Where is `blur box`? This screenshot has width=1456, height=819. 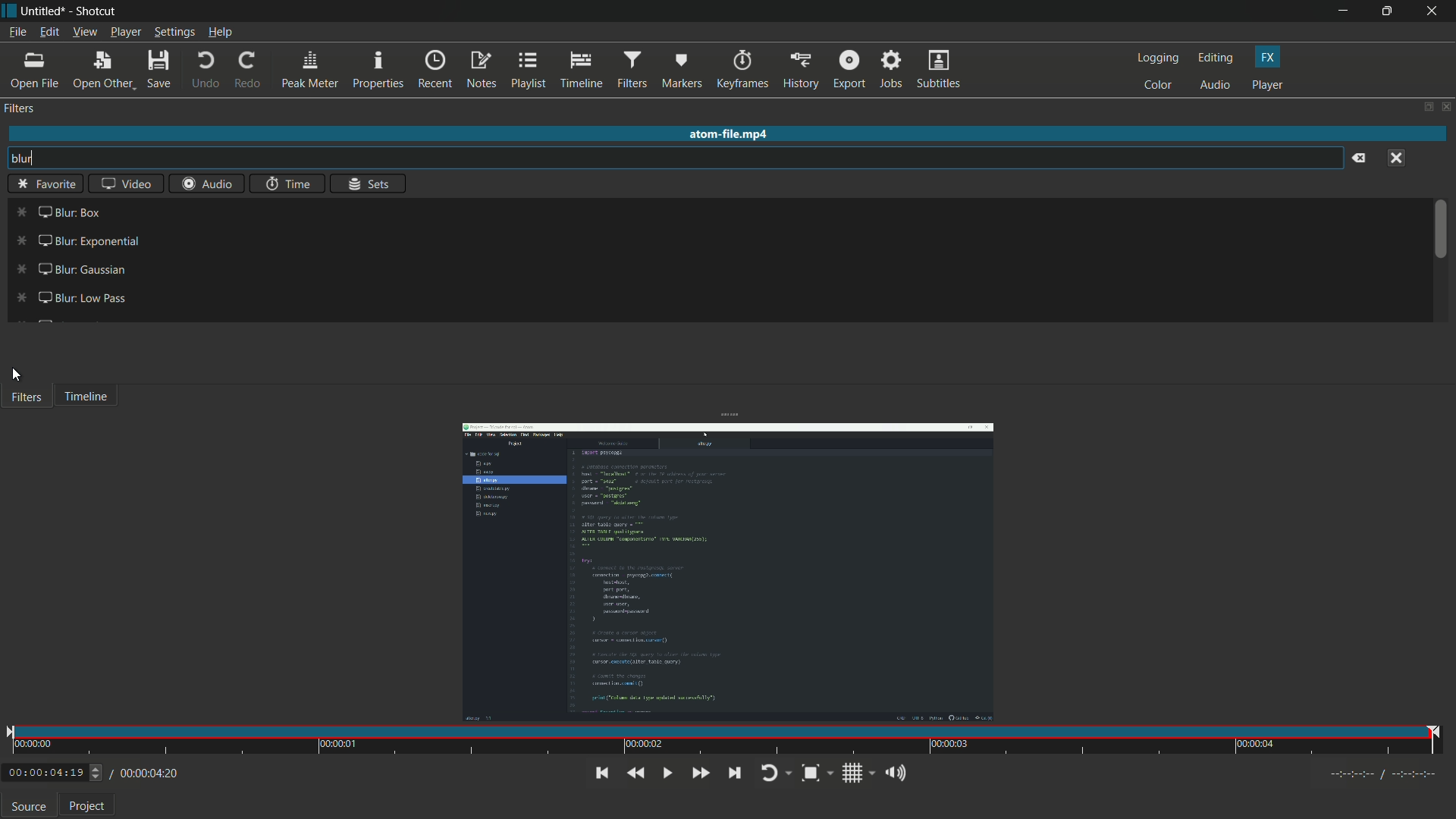
blur box is located at coordinates (58, 211).